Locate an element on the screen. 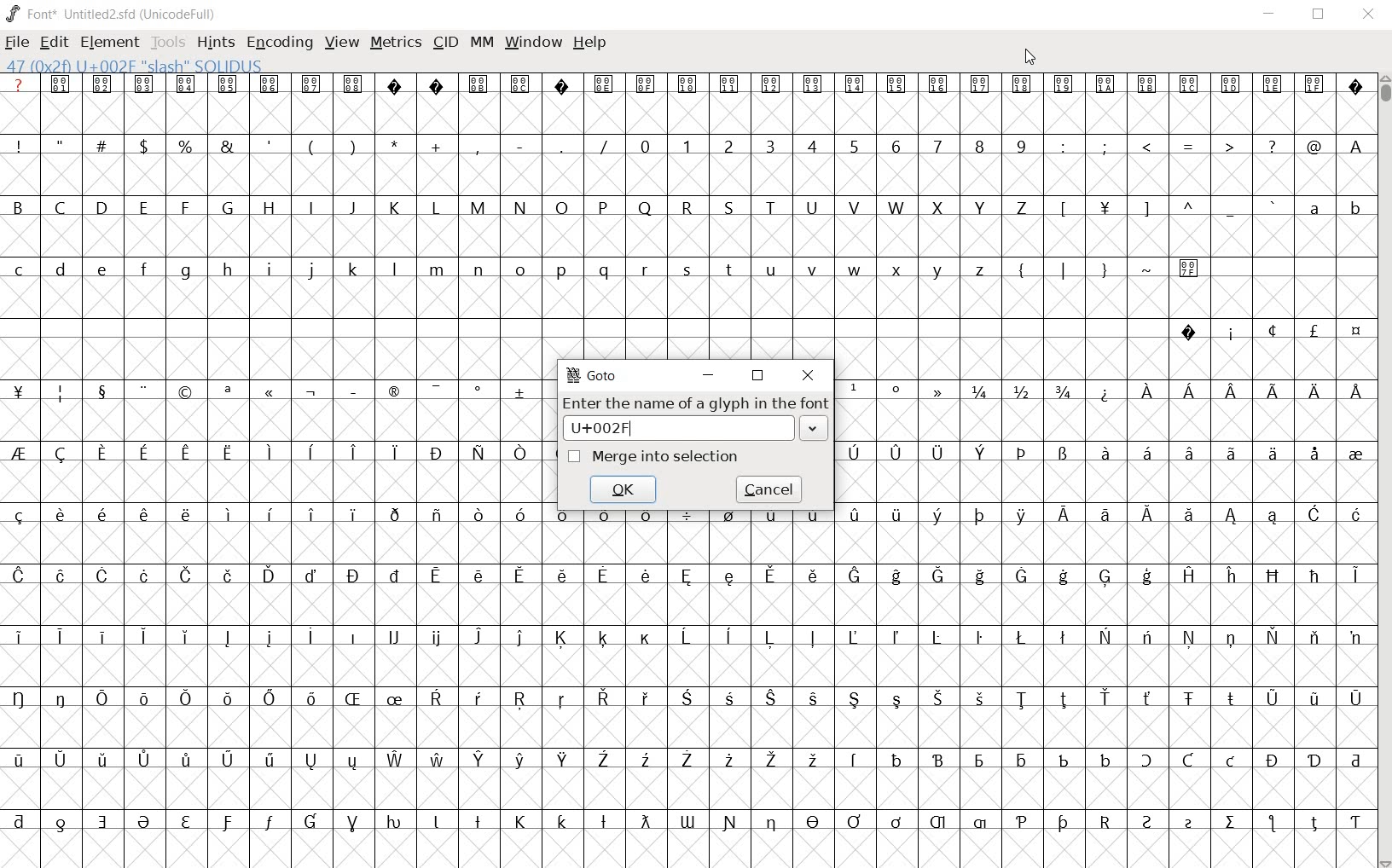 This screenshot has height=868, width=1392. empty cells is located at coordinates (690, 176).